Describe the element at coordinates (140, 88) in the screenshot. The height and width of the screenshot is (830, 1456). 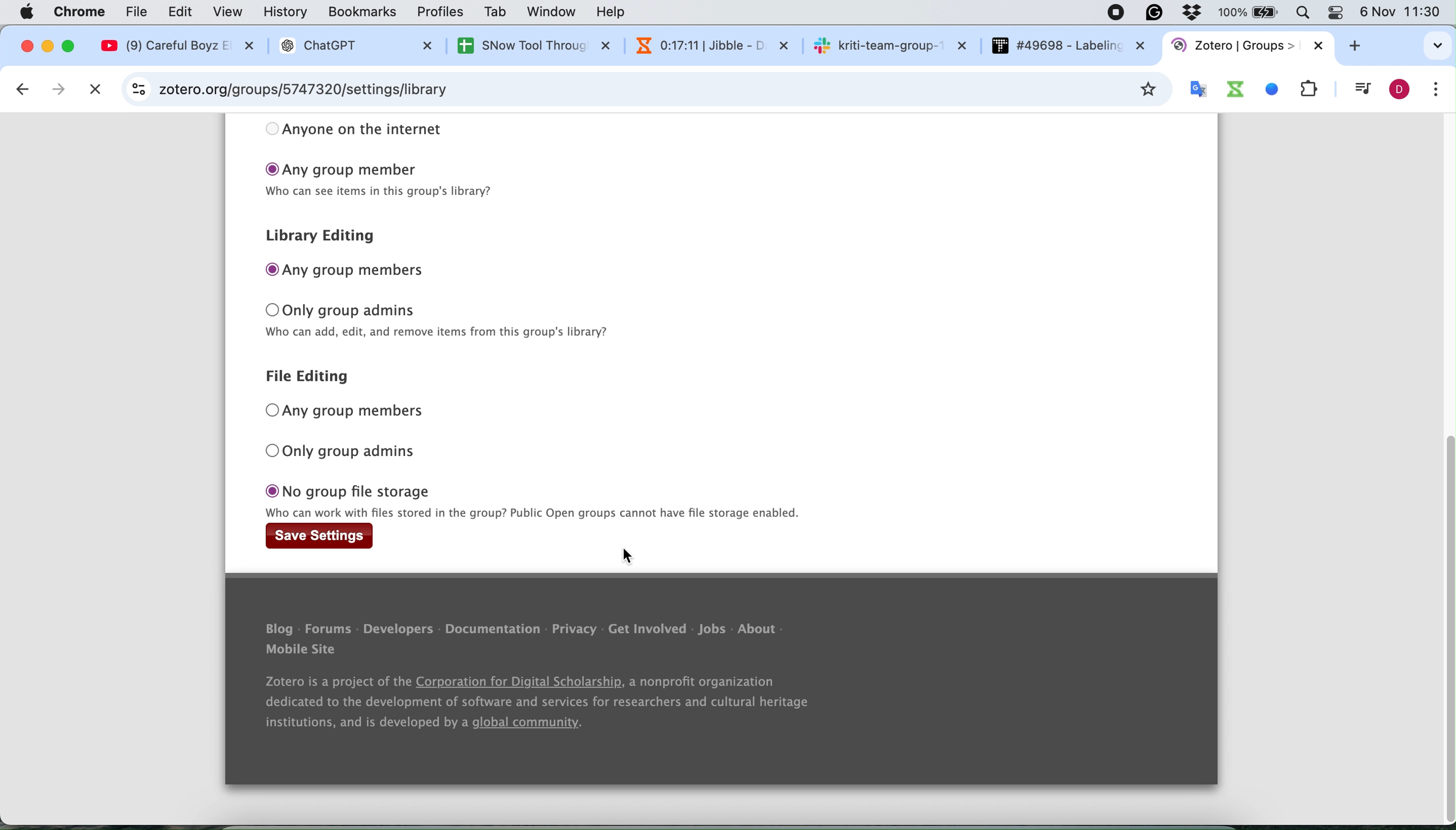
I see `site information` at that location.